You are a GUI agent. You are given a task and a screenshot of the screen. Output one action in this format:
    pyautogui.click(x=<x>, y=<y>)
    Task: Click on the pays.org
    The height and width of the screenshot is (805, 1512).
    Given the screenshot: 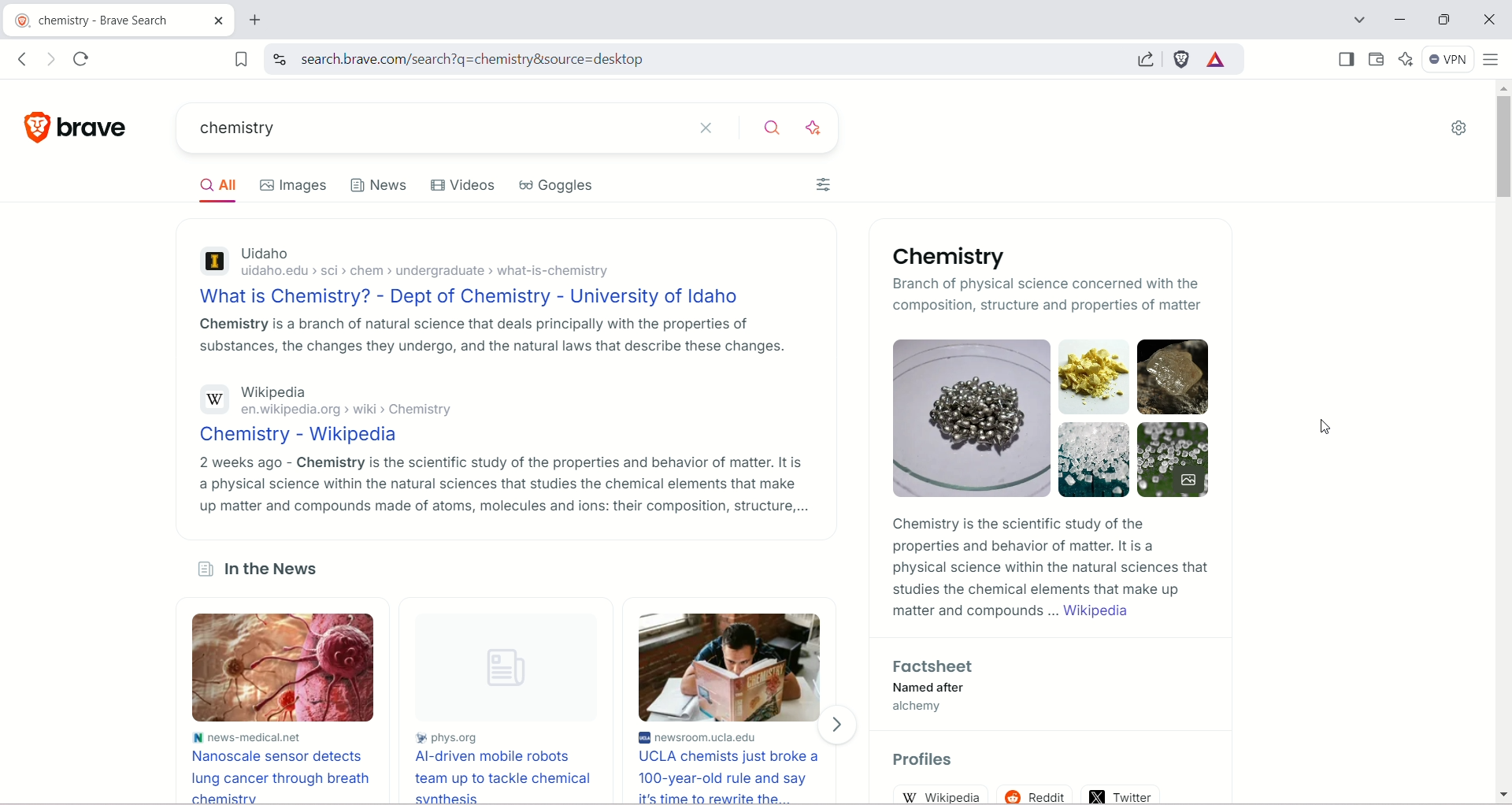 What is the action you would take?
    pyautogui.click(x=449, y=734)
    